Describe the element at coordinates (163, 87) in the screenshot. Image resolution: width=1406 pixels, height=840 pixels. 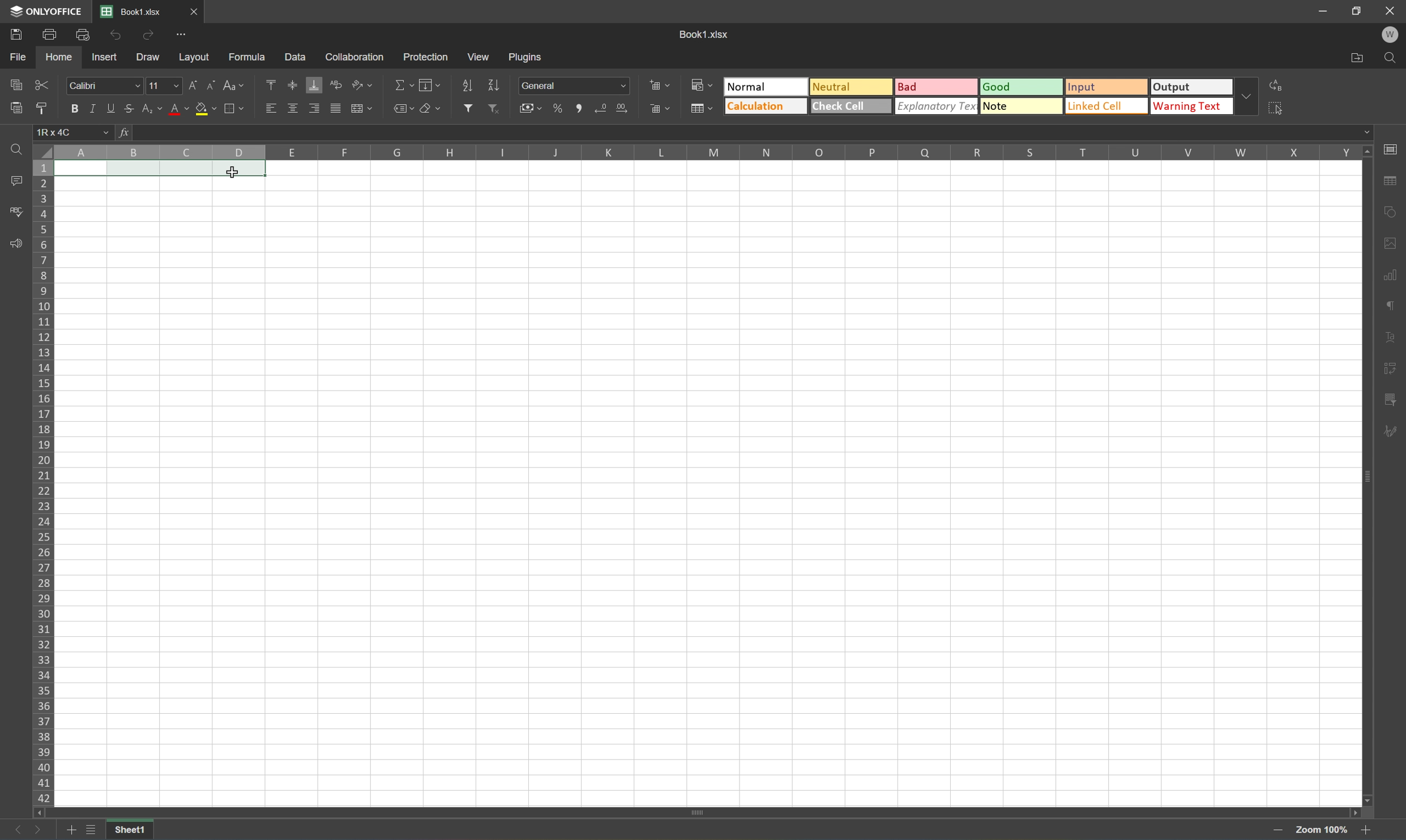
I see `Font size` at that location.